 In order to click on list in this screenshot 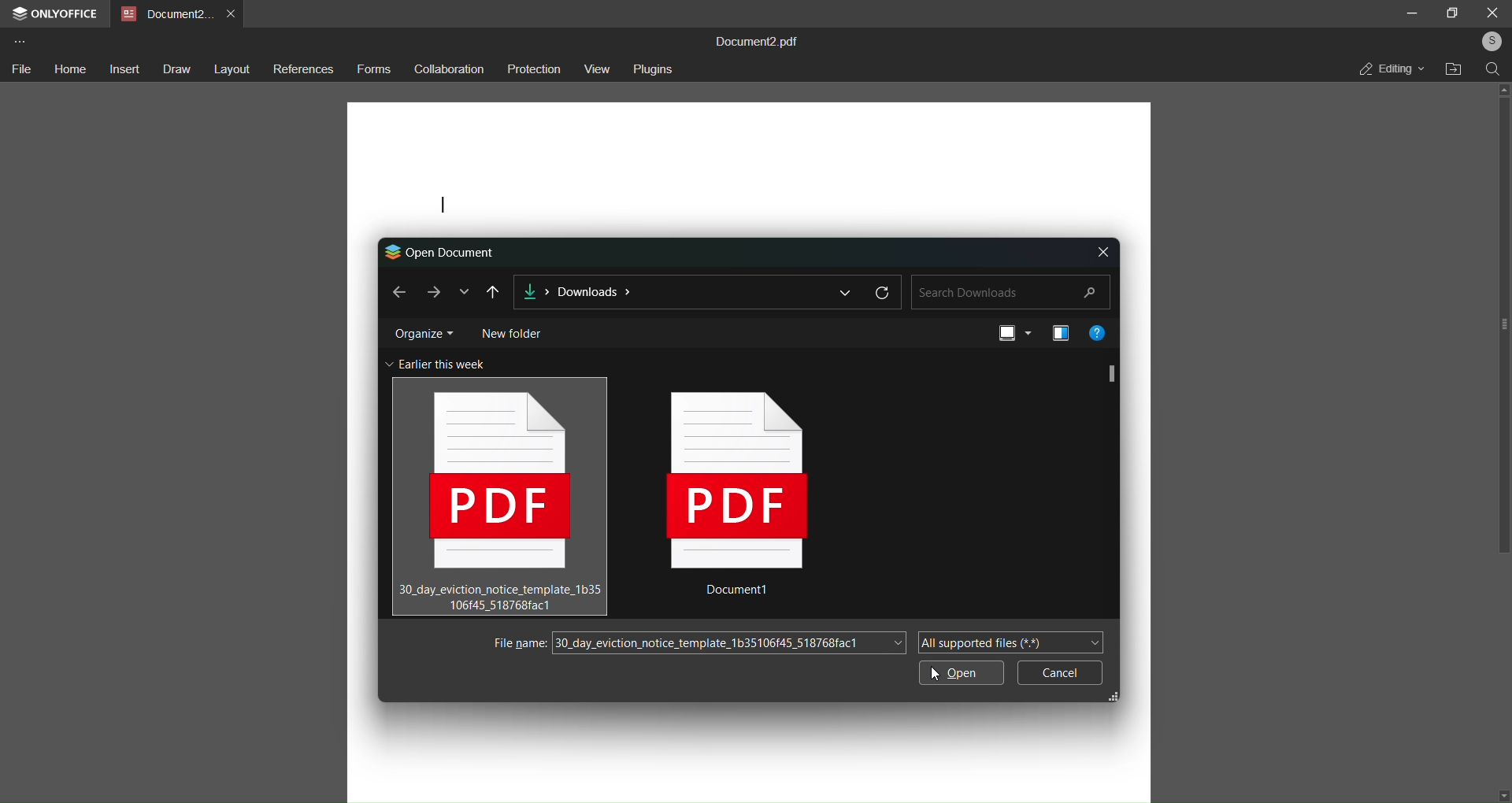, I will do `click(845, 291)`.